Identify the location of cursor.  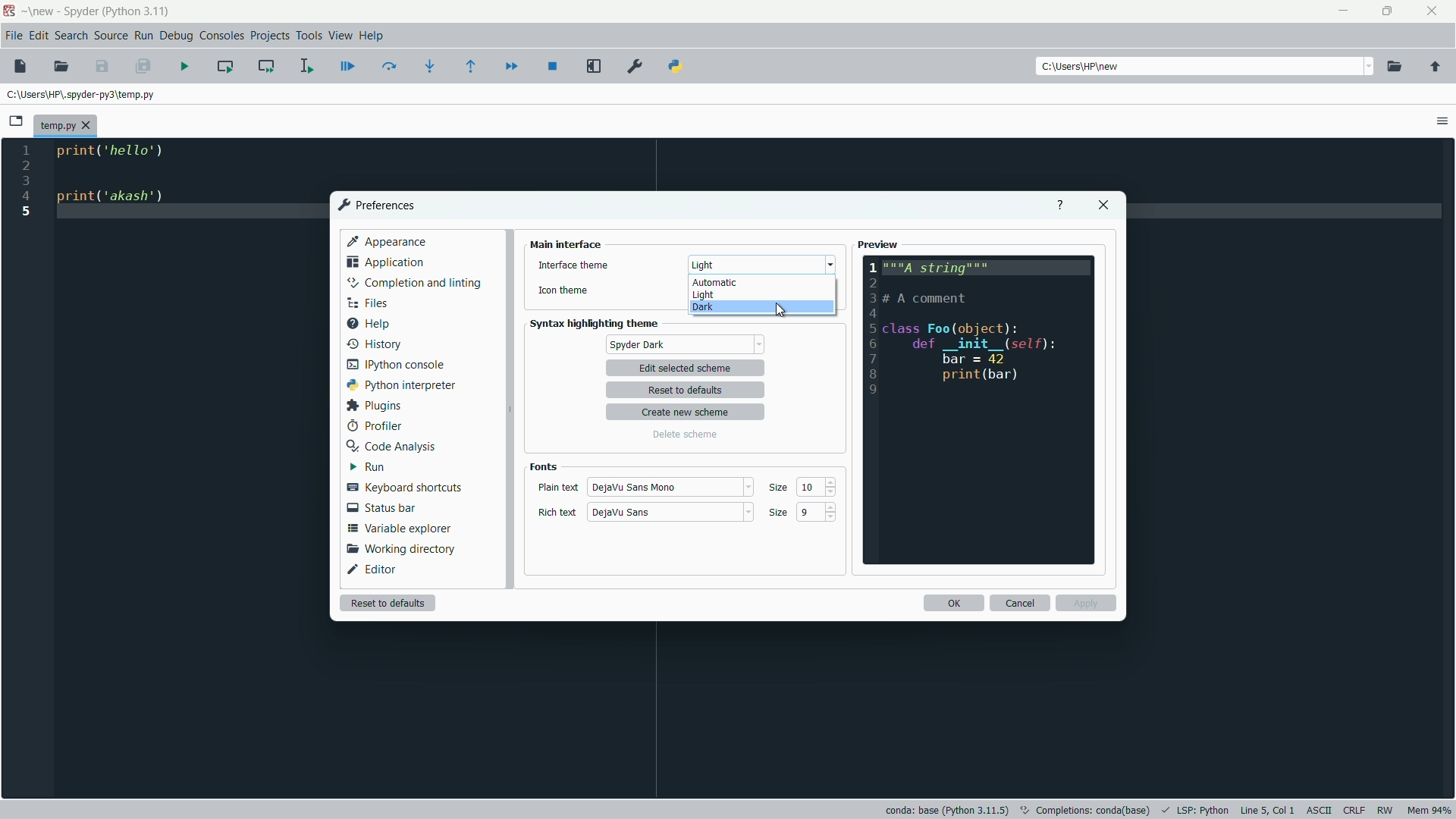
(783, 309).